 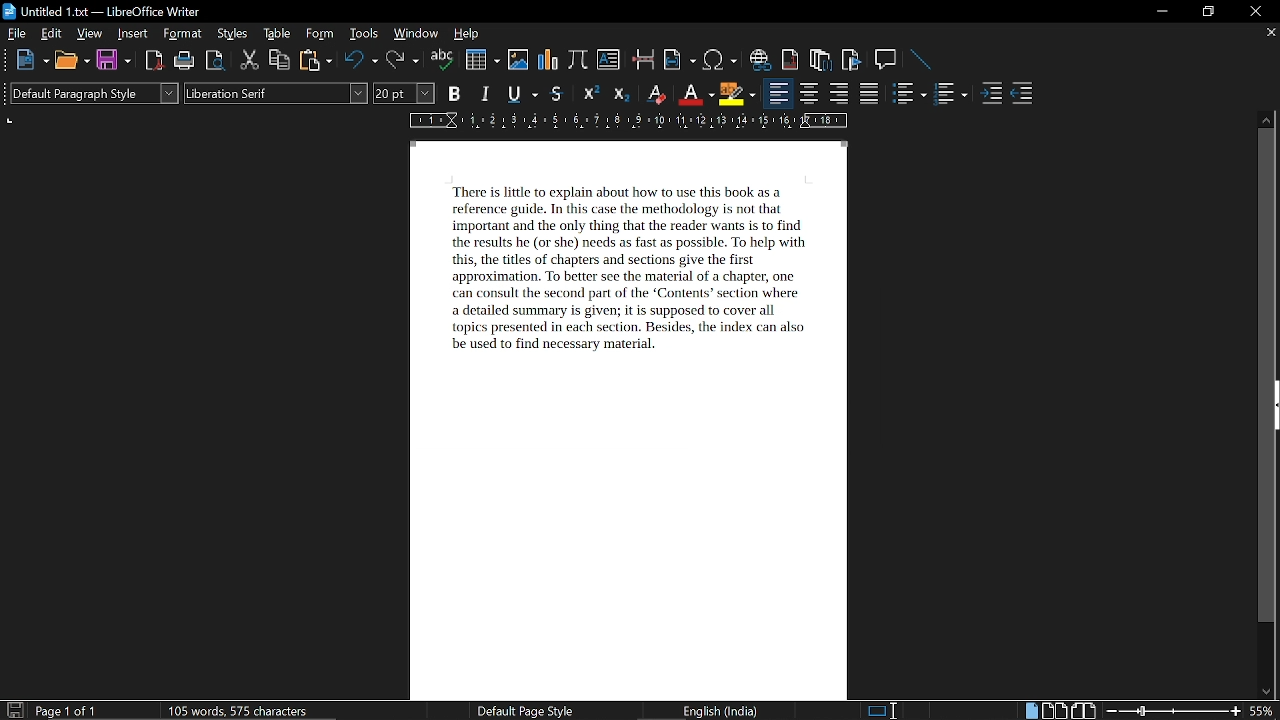 I want to click on current window, so click(x=97, y=13).